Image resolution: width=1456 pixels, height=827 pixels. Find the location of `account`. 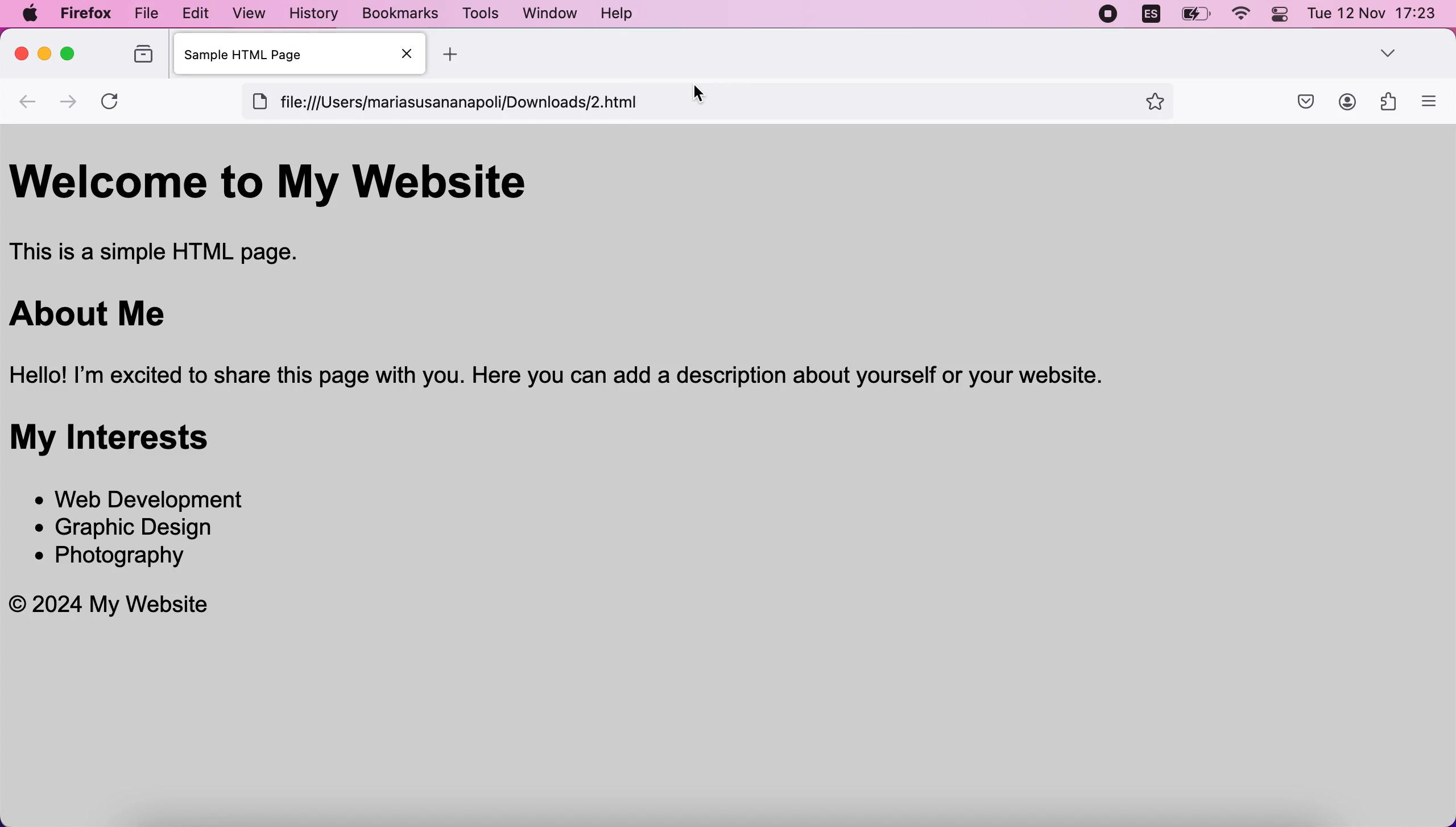

account is located at coordinates (1346, 102).